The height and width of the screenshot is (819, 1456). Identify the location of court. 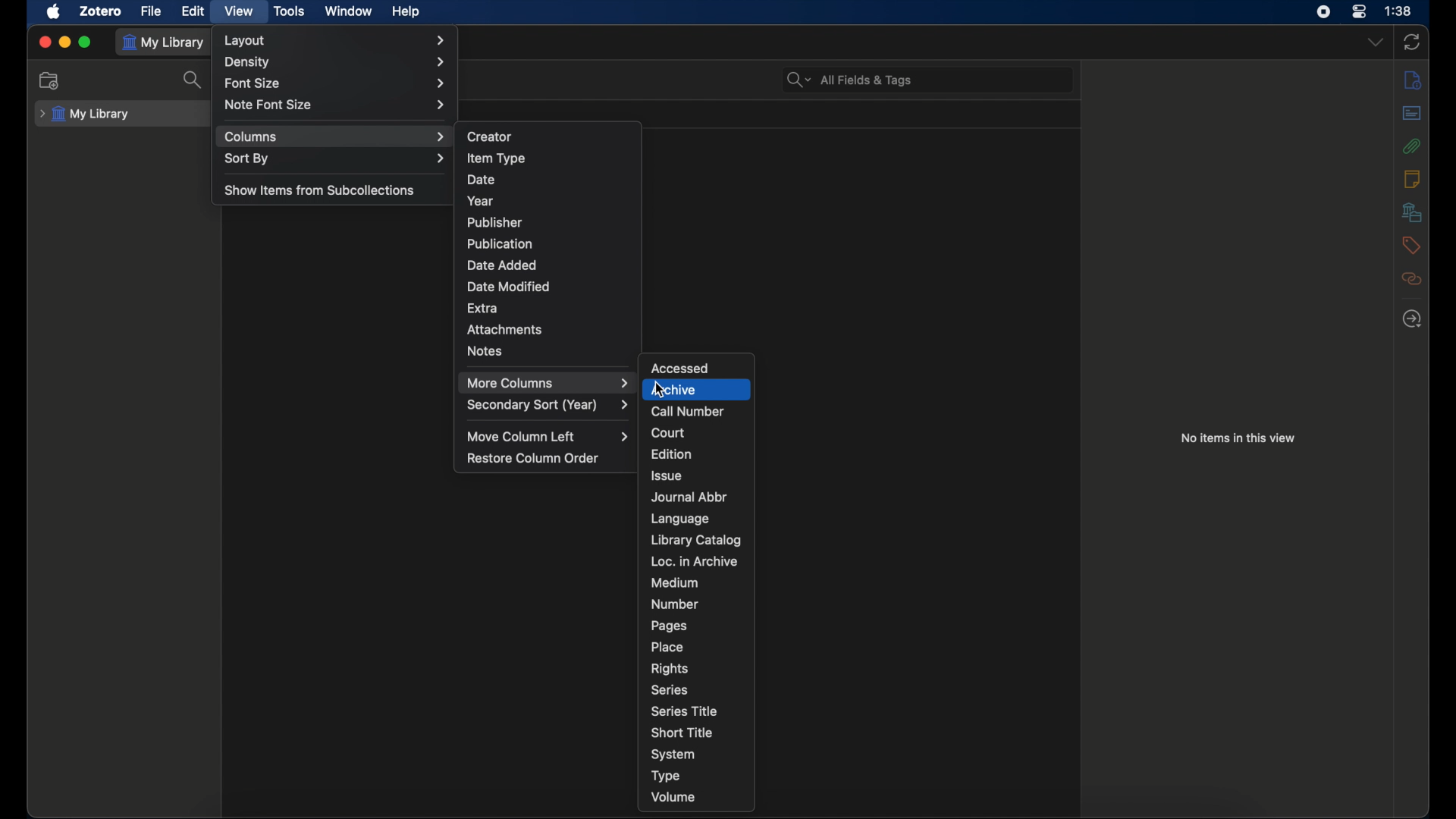
(668, 433).